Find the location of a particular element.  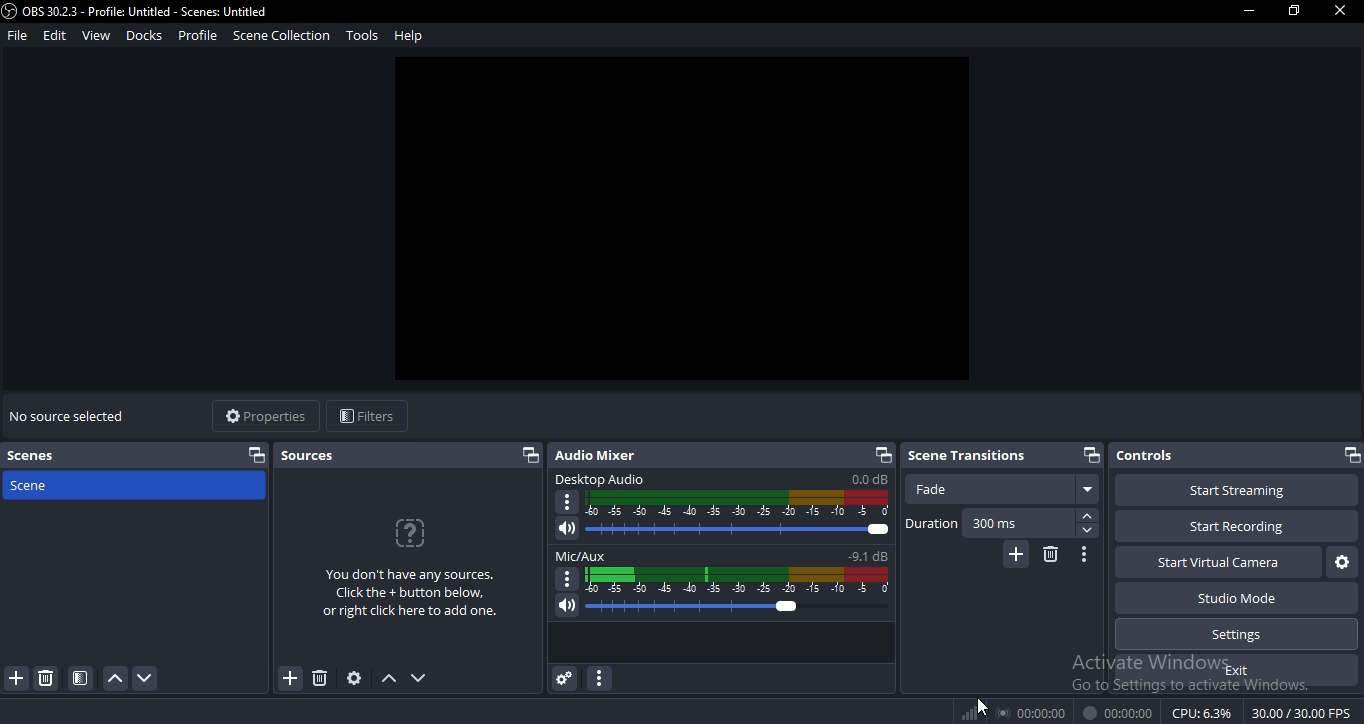

 is located at coordinates (568, 503).